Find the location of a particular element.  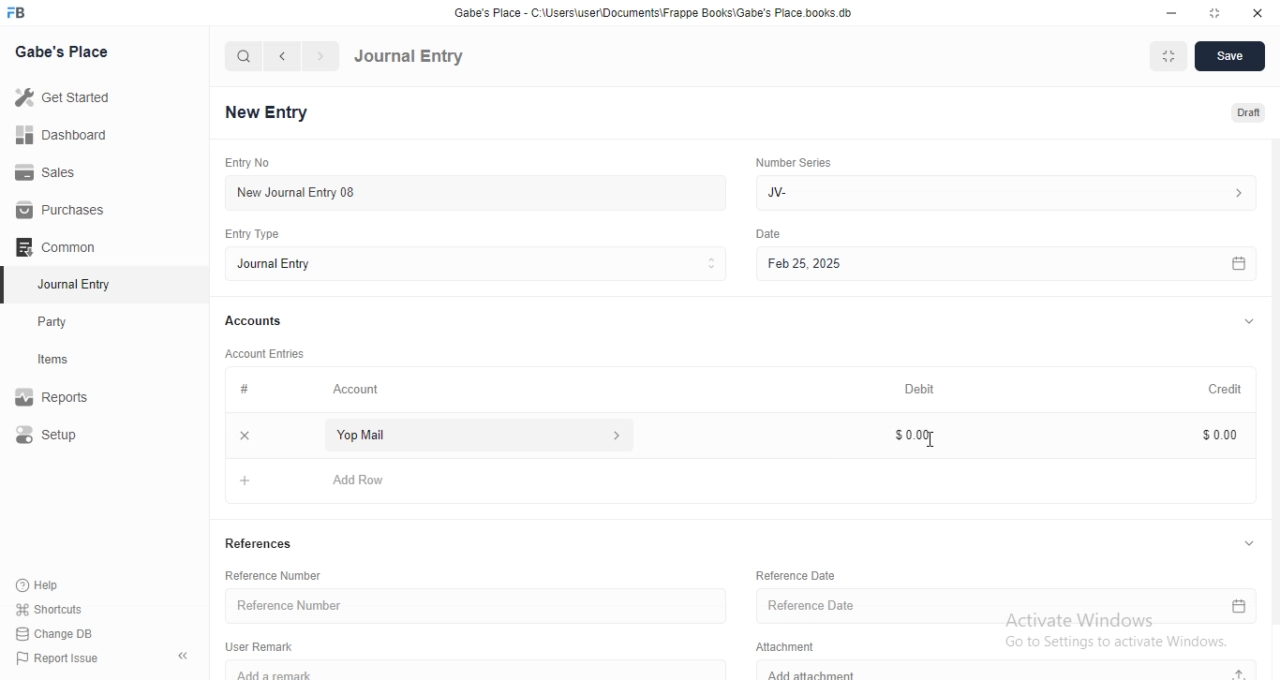

Setup is located at coordinates (68, 436).